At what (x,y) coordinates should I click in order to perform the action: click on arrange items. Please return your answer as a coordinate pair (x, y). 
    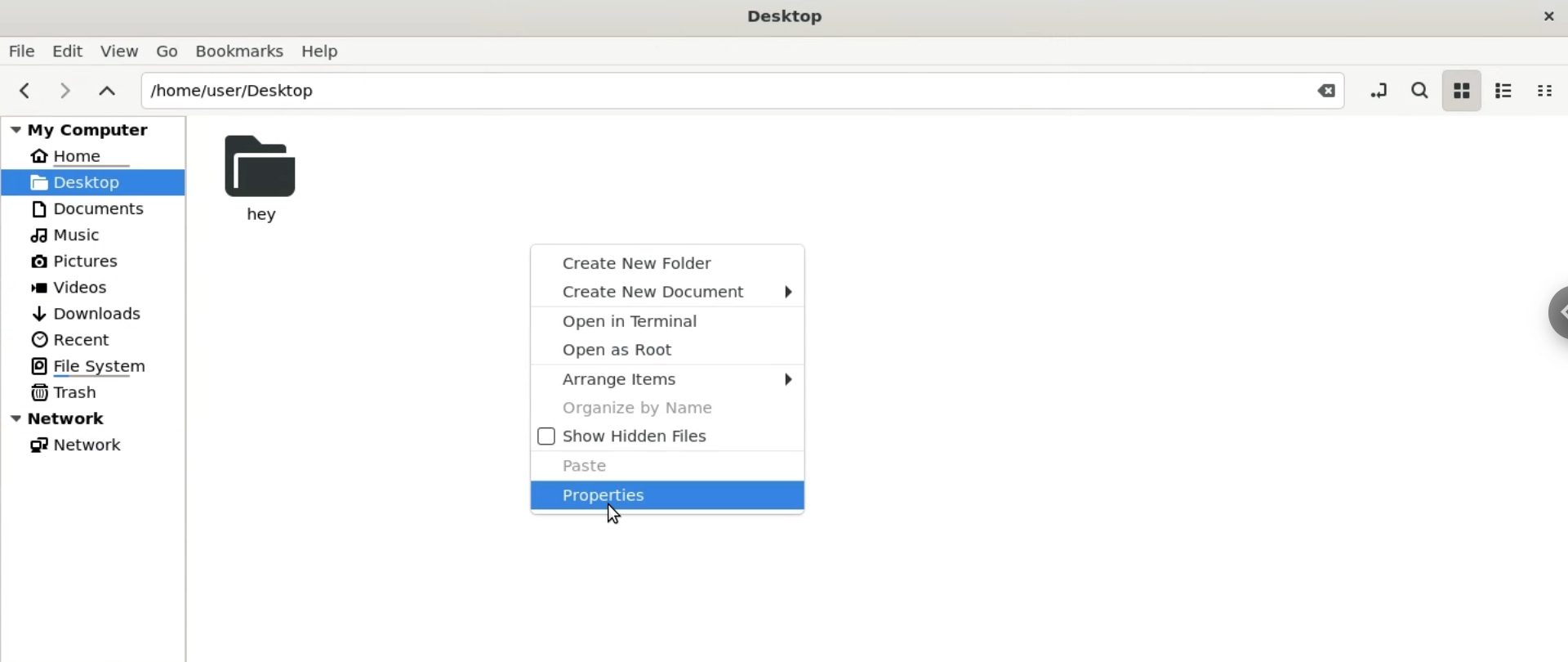
    Looking at the image, I should click on (671, 379).